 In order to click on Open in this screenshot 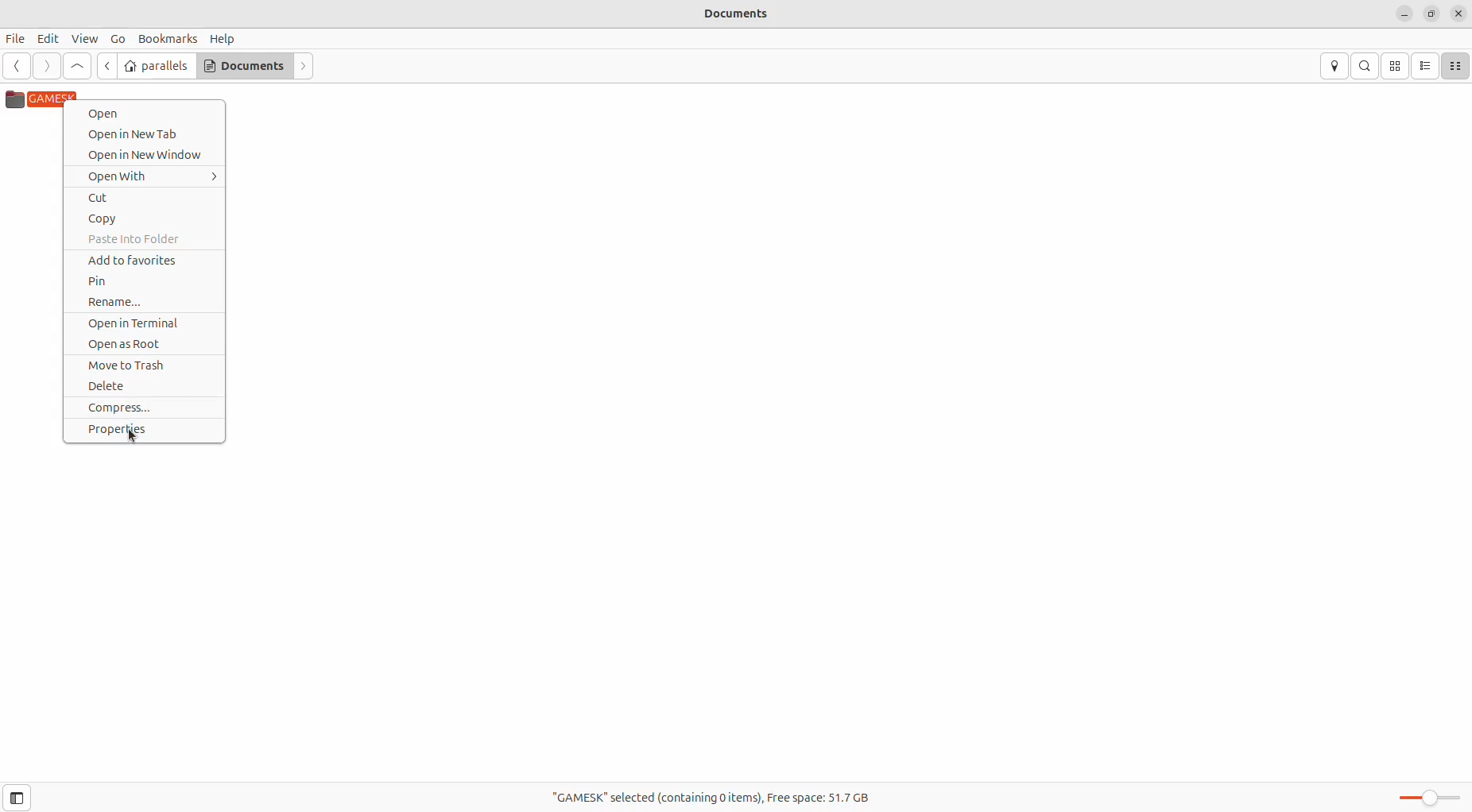, I will do `click(149, 113)`.